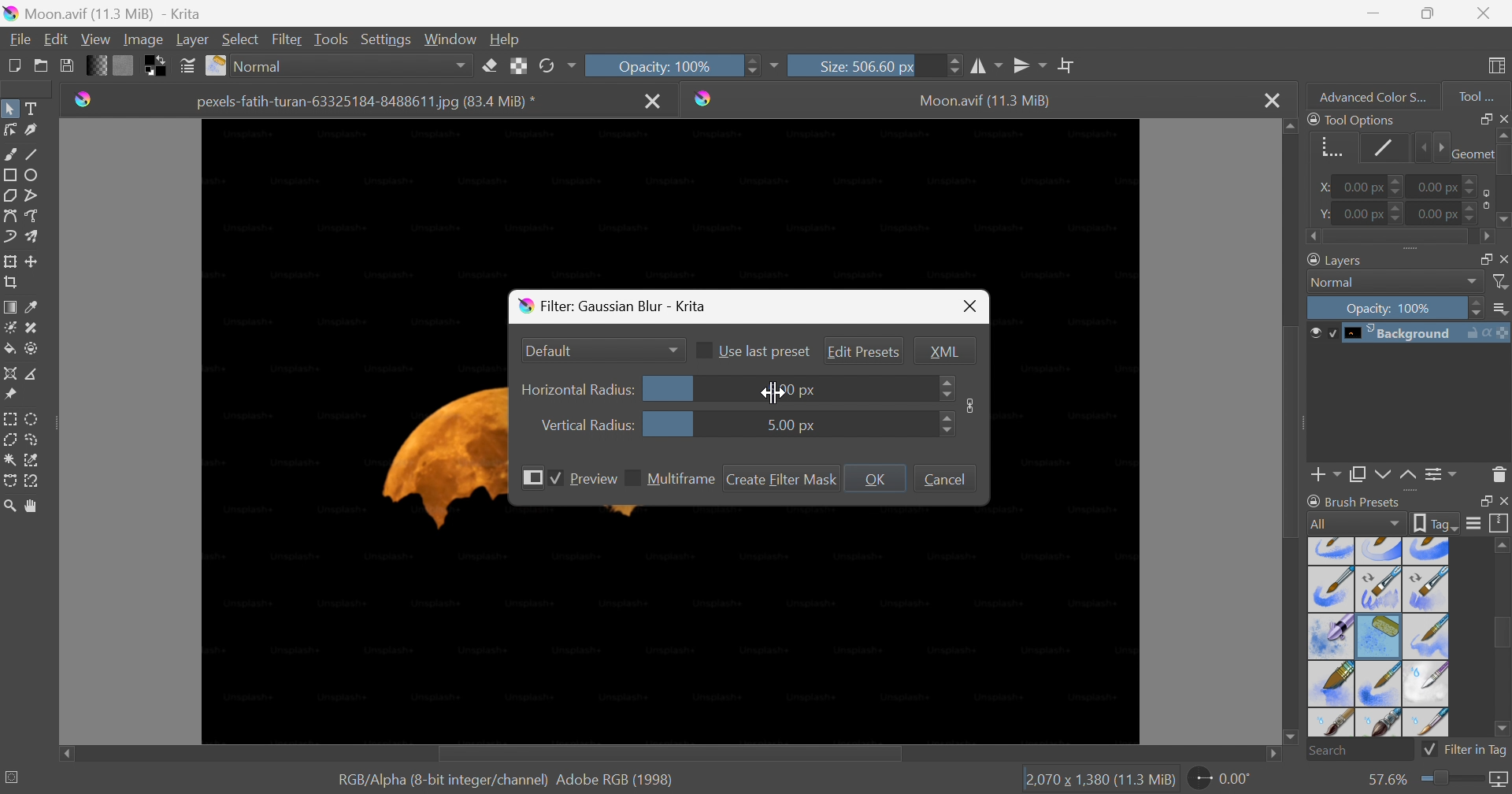  I want to click on Map the displayed canvas size between pixel size and print size. Current mapping: Pixel Size, so click(1502, 781).